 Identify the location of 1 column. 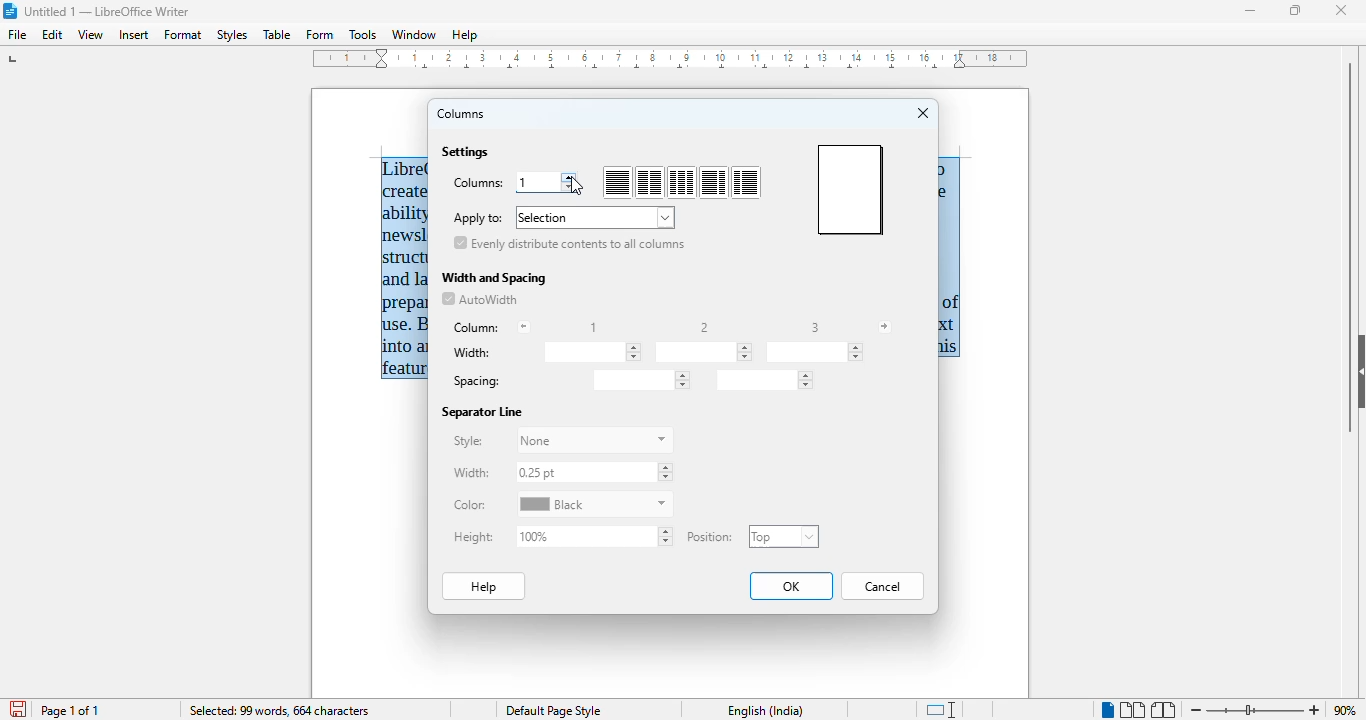
(617, 183).